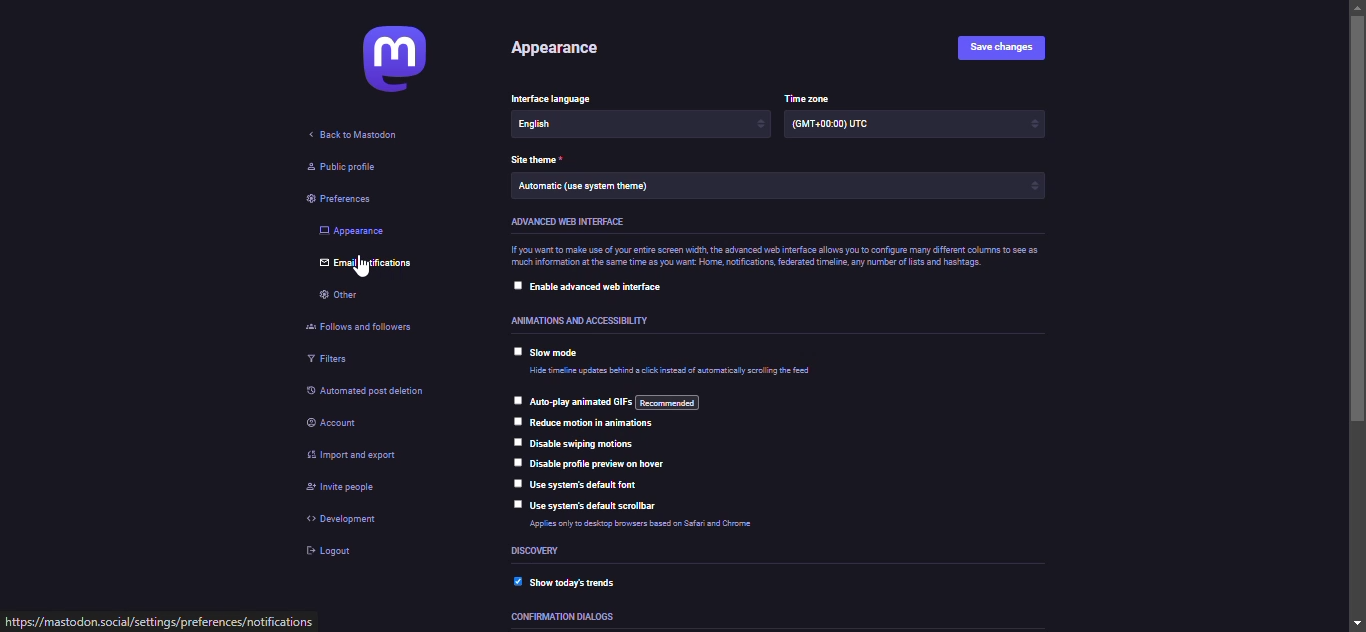 Image resolution: width=1366 pixels, height=632 pixels. I want to click on slow mode, so click(561, 353).